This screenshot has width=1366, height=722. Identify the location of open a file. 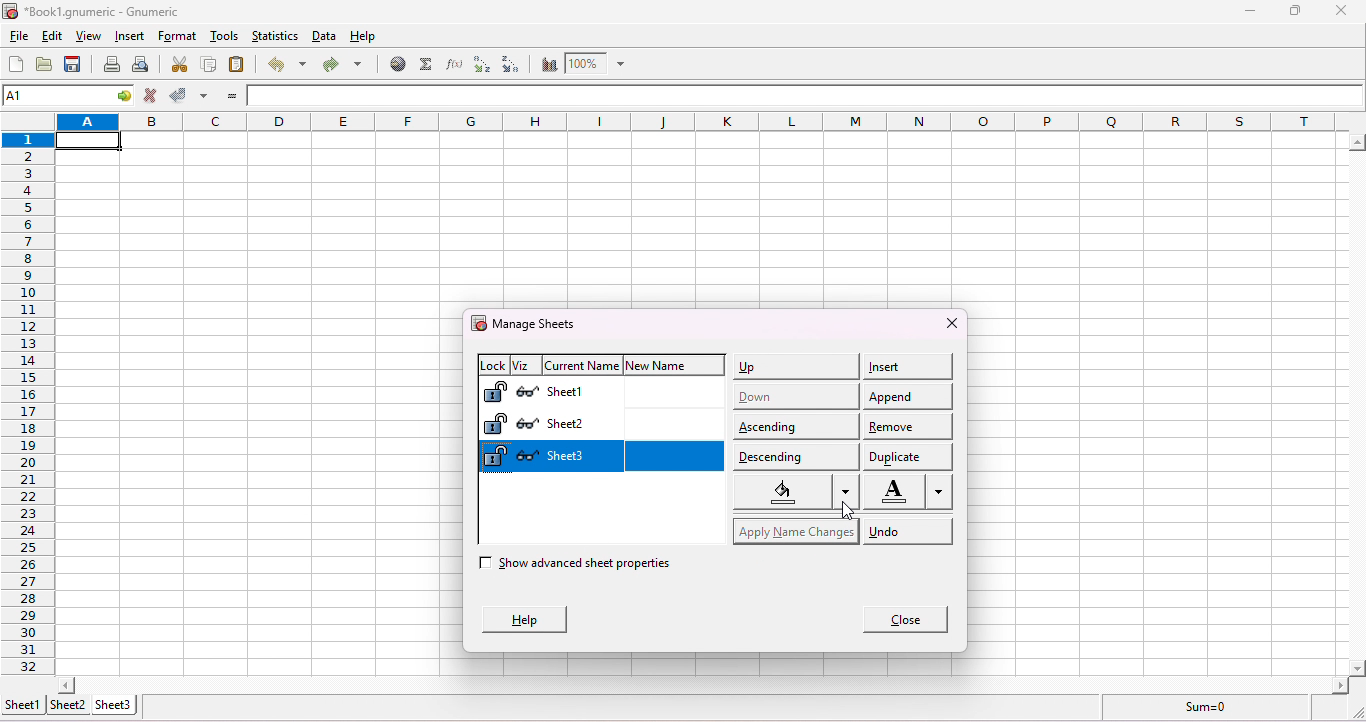
(47, 66).